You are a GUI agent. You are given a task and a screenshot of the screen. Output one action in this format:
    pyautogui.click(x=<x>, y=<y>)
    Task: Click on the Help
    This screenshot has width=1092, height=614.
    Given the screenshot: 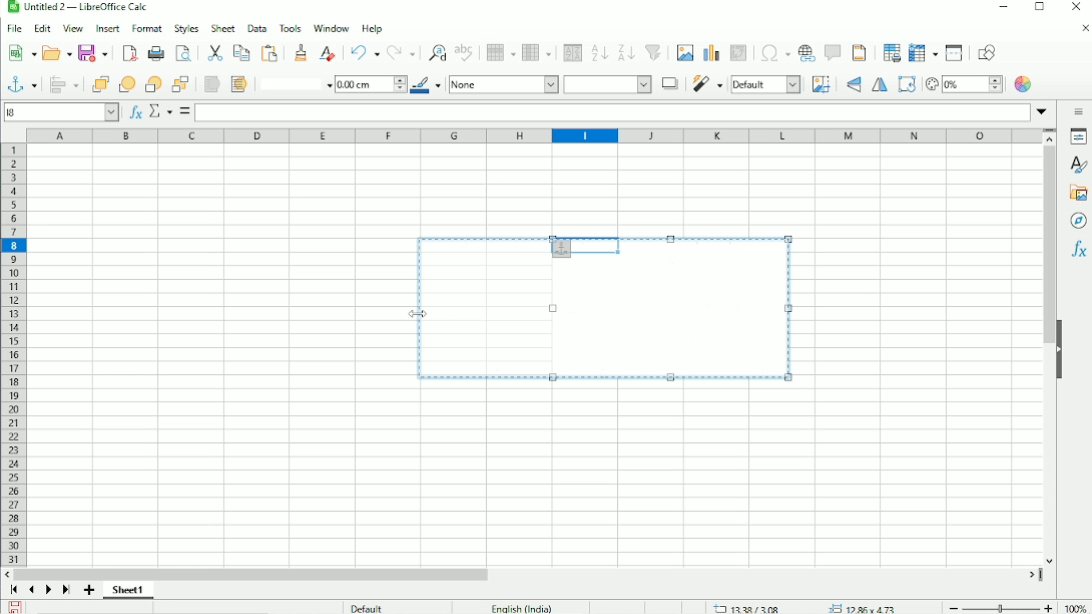 What is the action you would take?
    pyautogui.click(x=372, y=28)
    